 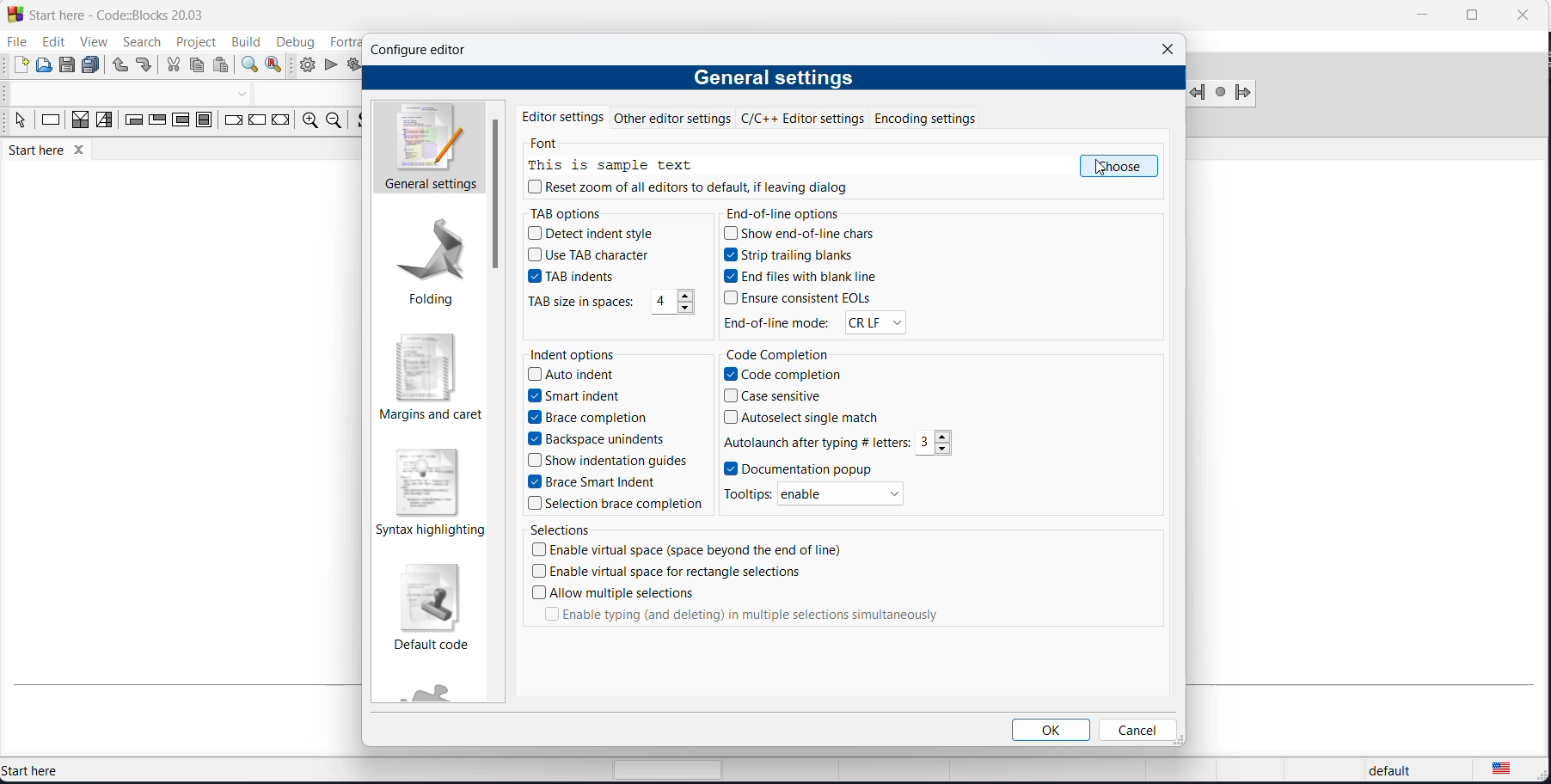 I want to click on find, so click(x=248, y=65).